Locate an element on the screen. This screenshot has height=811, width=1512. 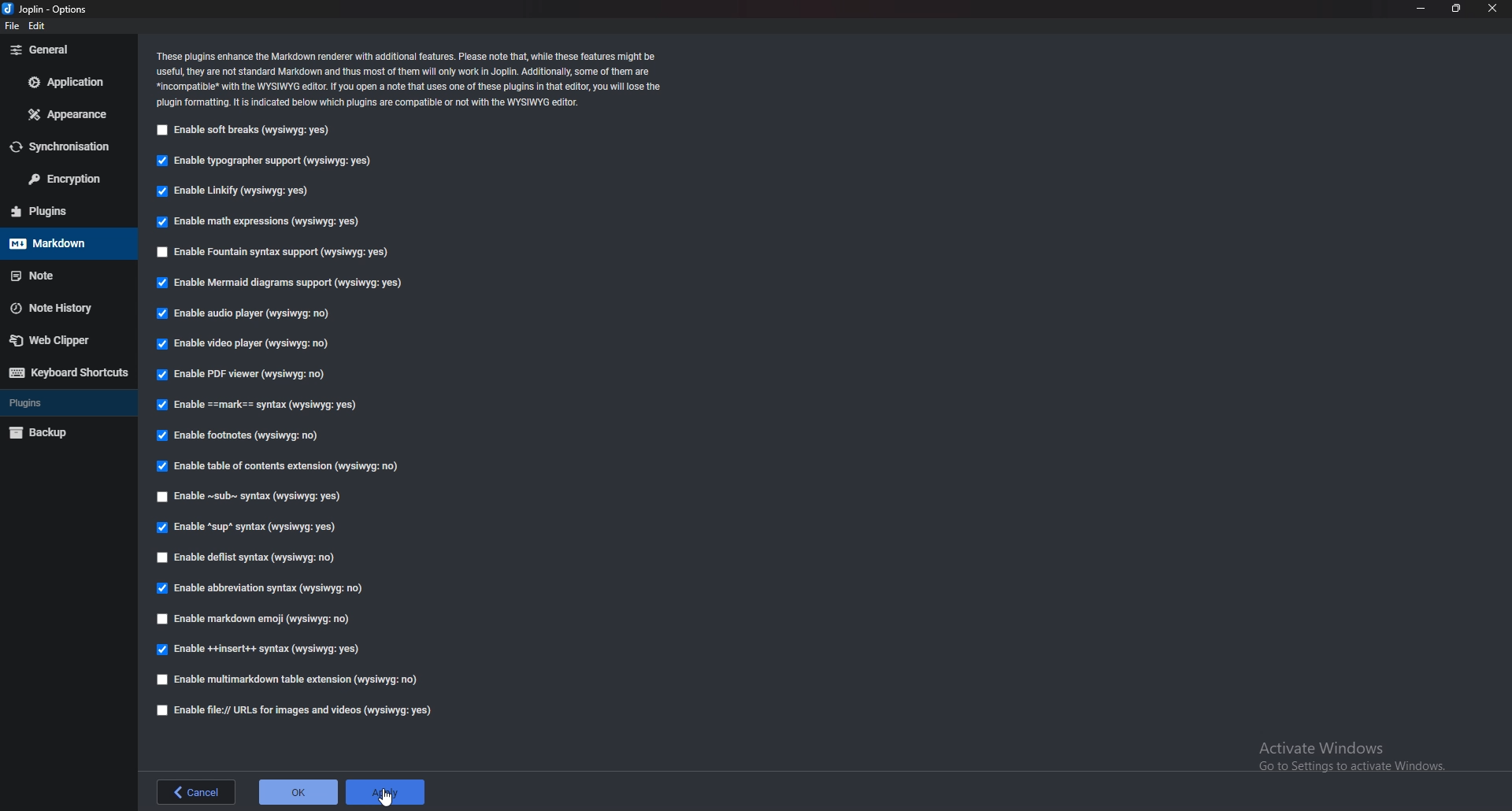
application is located at coordinates (65, 81).